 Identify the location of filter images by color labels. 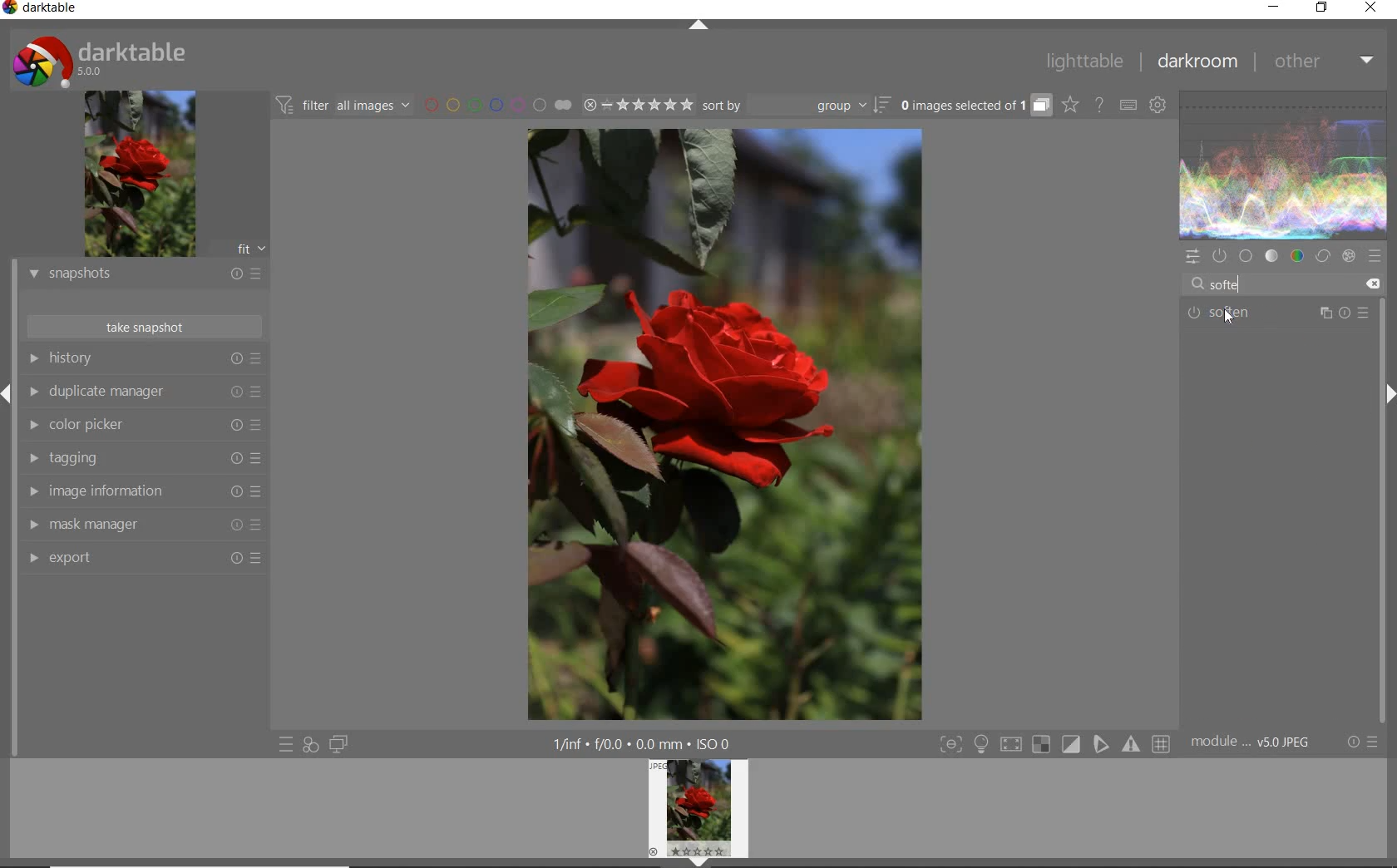
(496, 106).